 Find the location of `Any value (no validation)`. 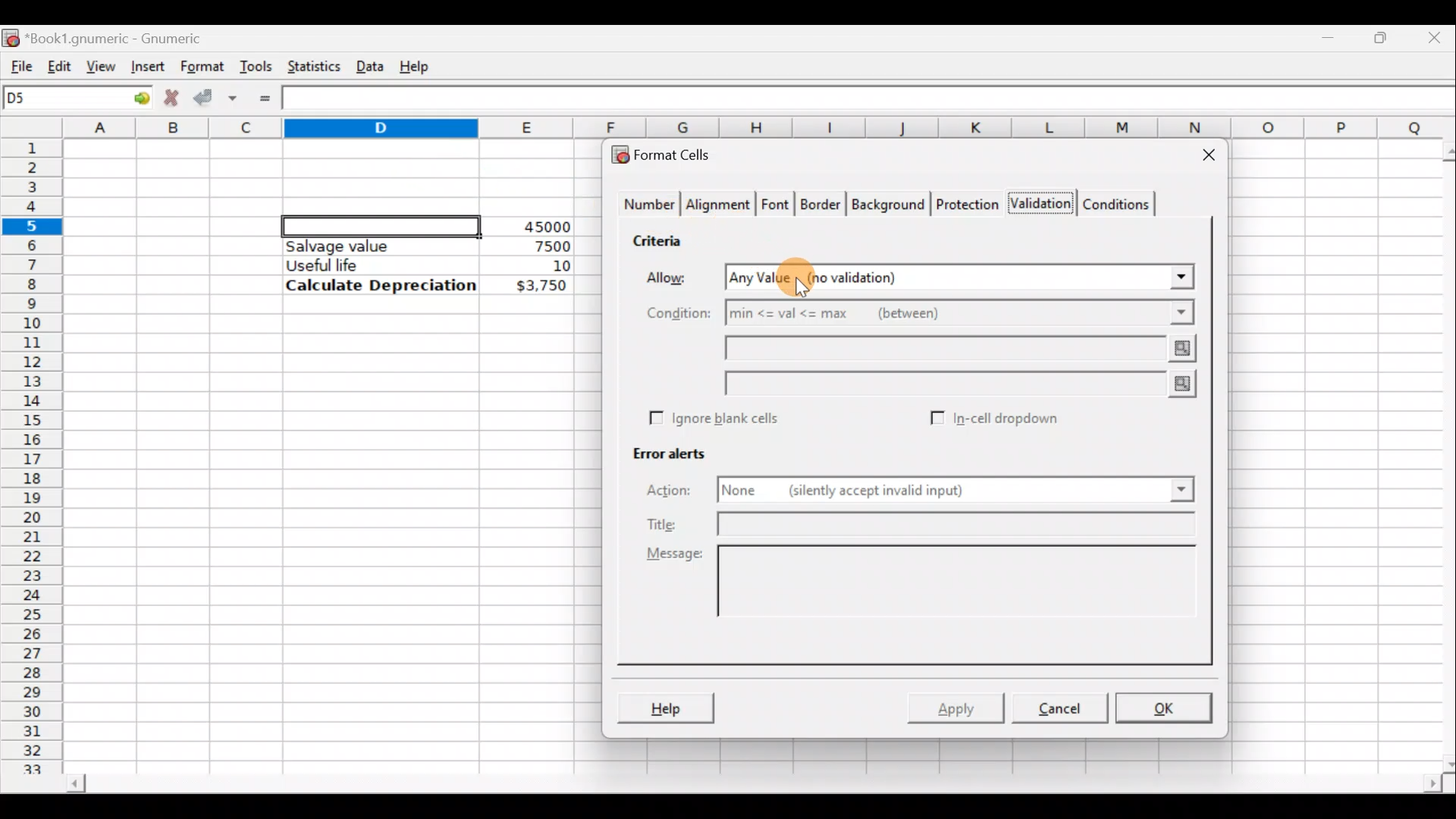

Any value (no validation) is located at coordinates (929, 277).